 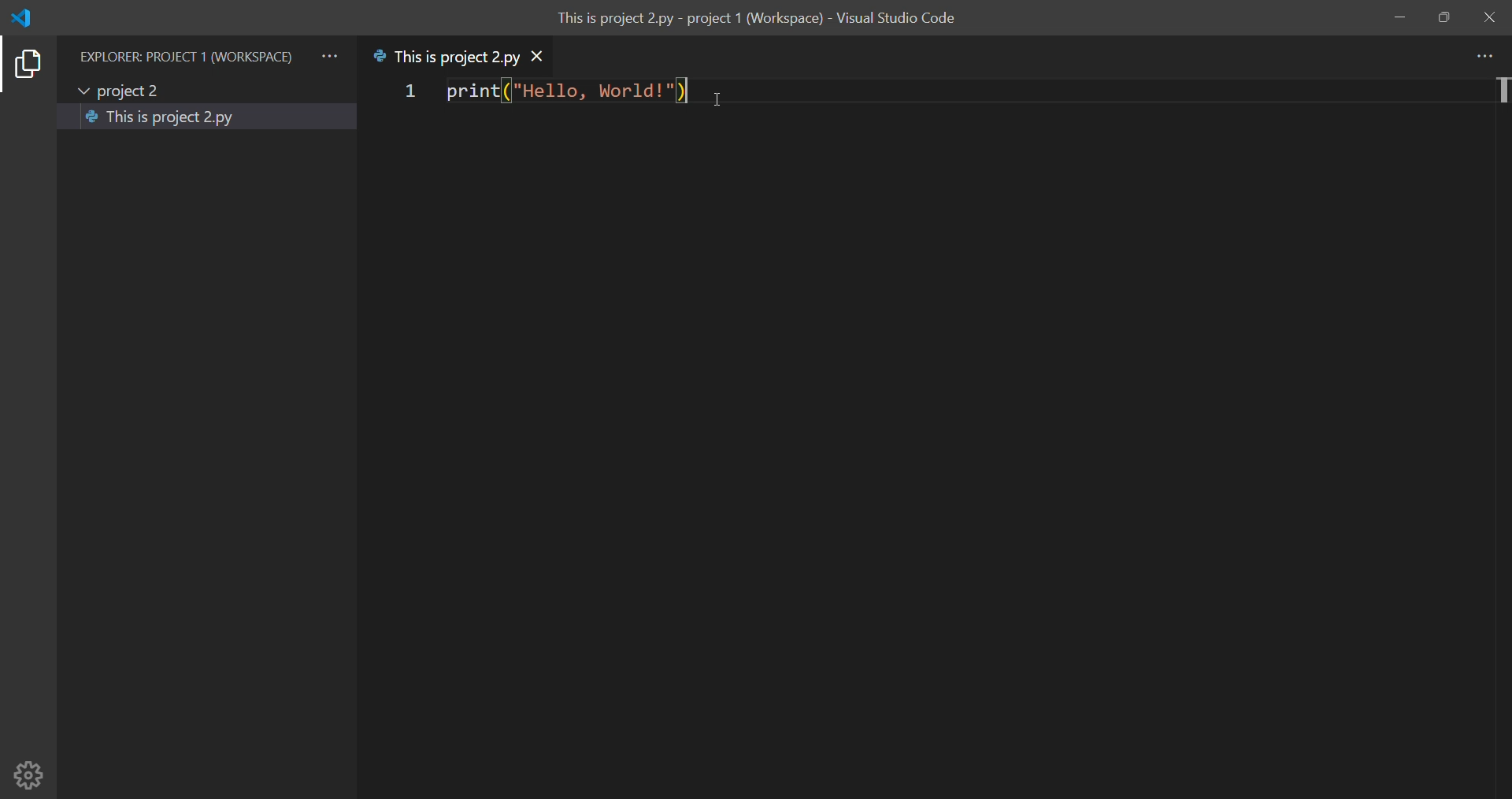 I want to click on This is project 2.py - project 1 (Workspace) - Visual Studio Code, so click(x=764, y=20).